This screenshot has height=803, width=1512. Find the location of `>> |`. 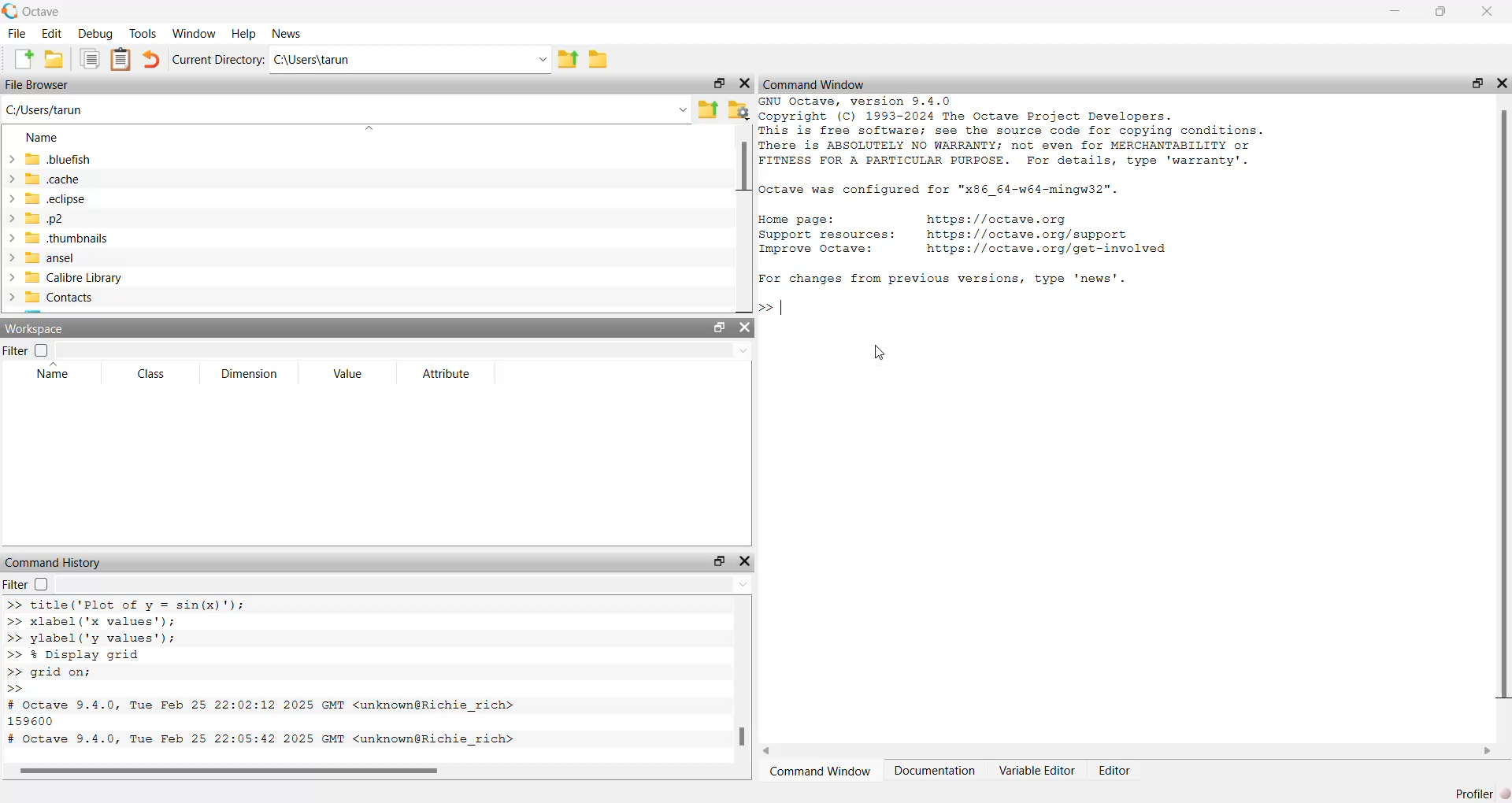

>> | is located at coordinates (774, 307).